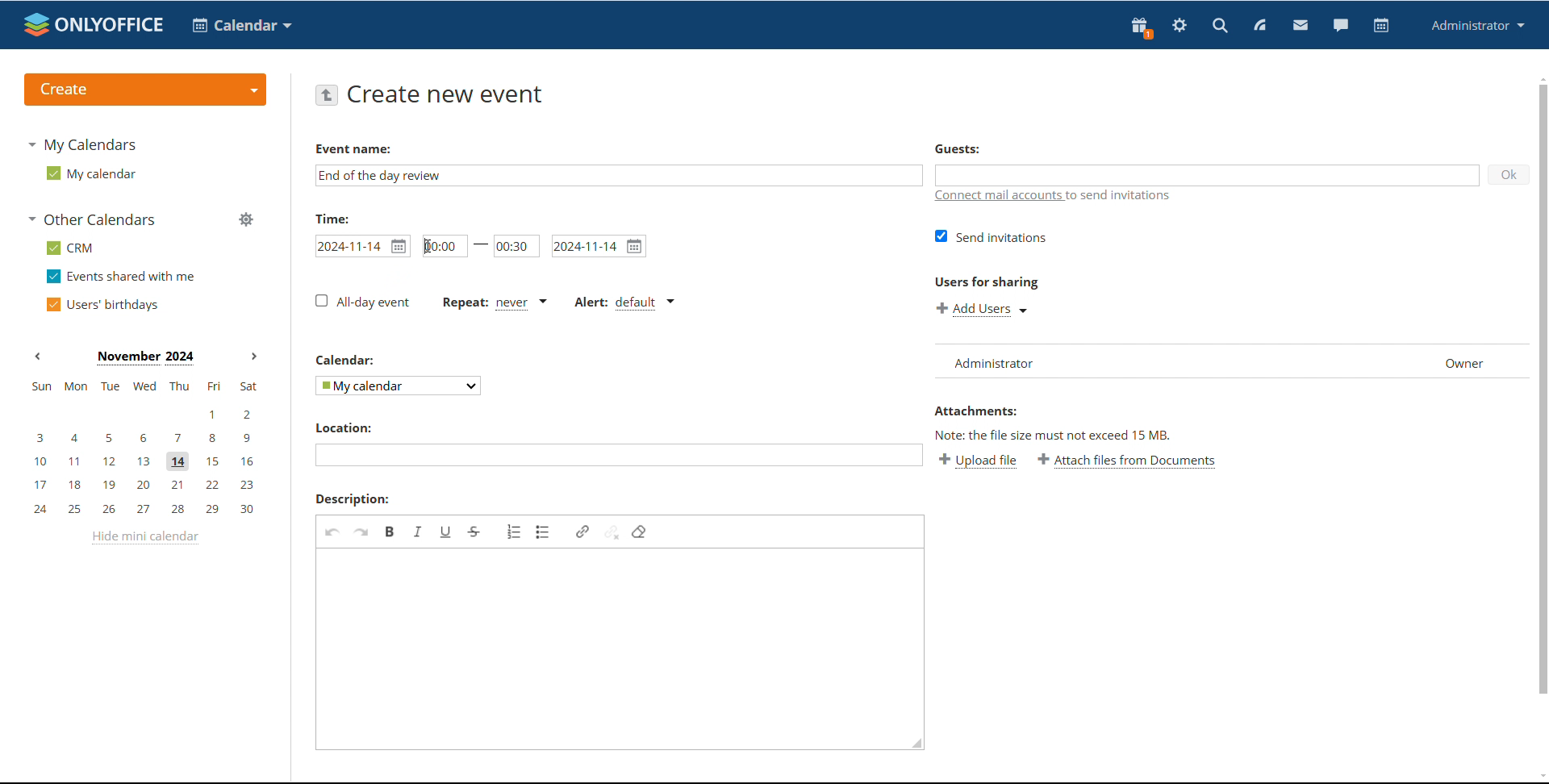  I want to click on present, so click(1140, 27).